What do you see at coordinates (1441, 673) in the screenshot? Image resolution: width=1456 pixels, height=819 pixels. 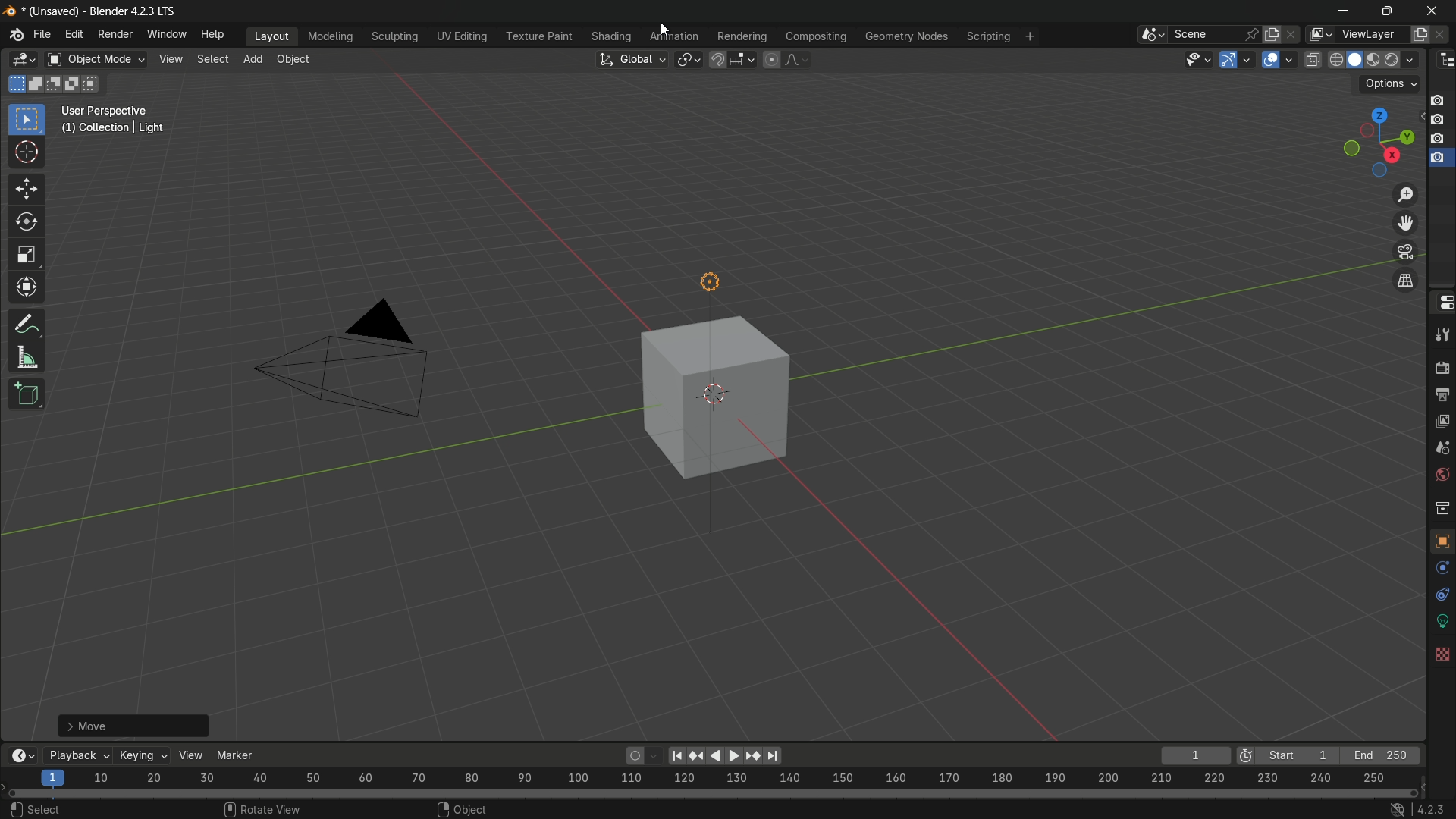 I see `data` at bounding box center [1441, 673].